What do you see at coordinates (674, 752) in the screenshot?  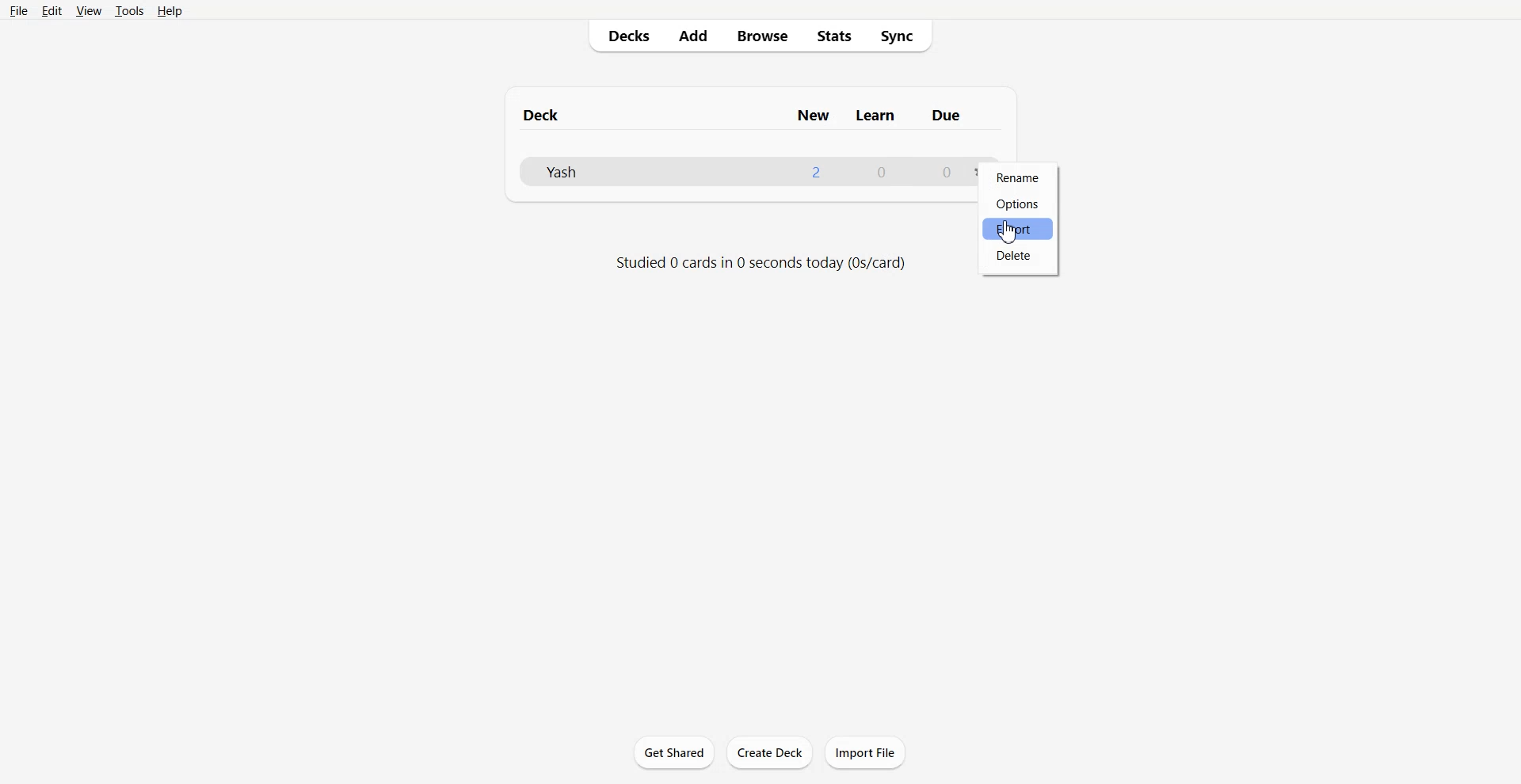 I see `Get Shared` at bounding box center [674, 752].